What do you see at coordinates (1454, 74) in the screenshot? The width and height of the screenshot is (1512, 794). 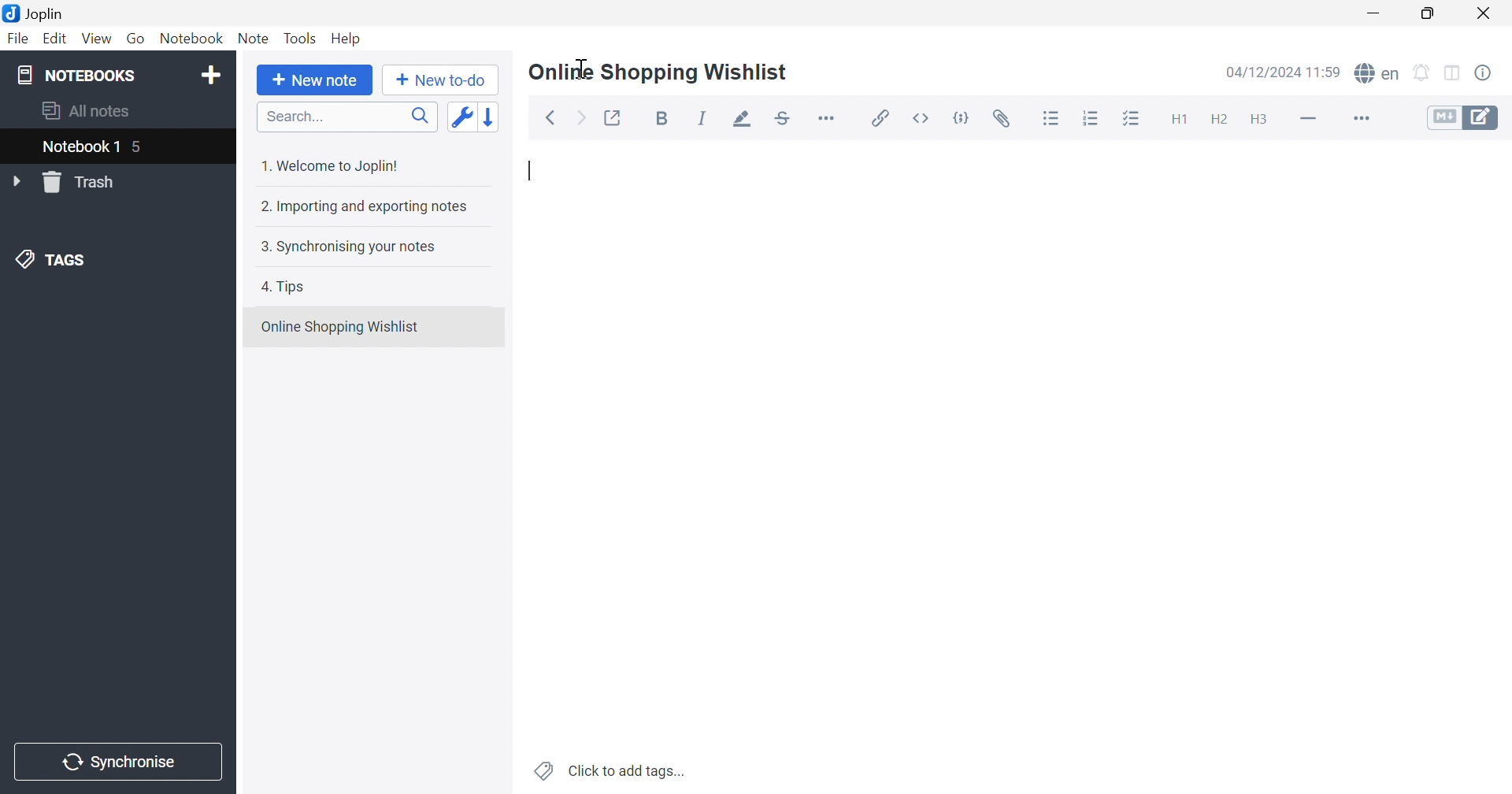 I see `Toggle editor layout` at bounding box center [1454, 74].